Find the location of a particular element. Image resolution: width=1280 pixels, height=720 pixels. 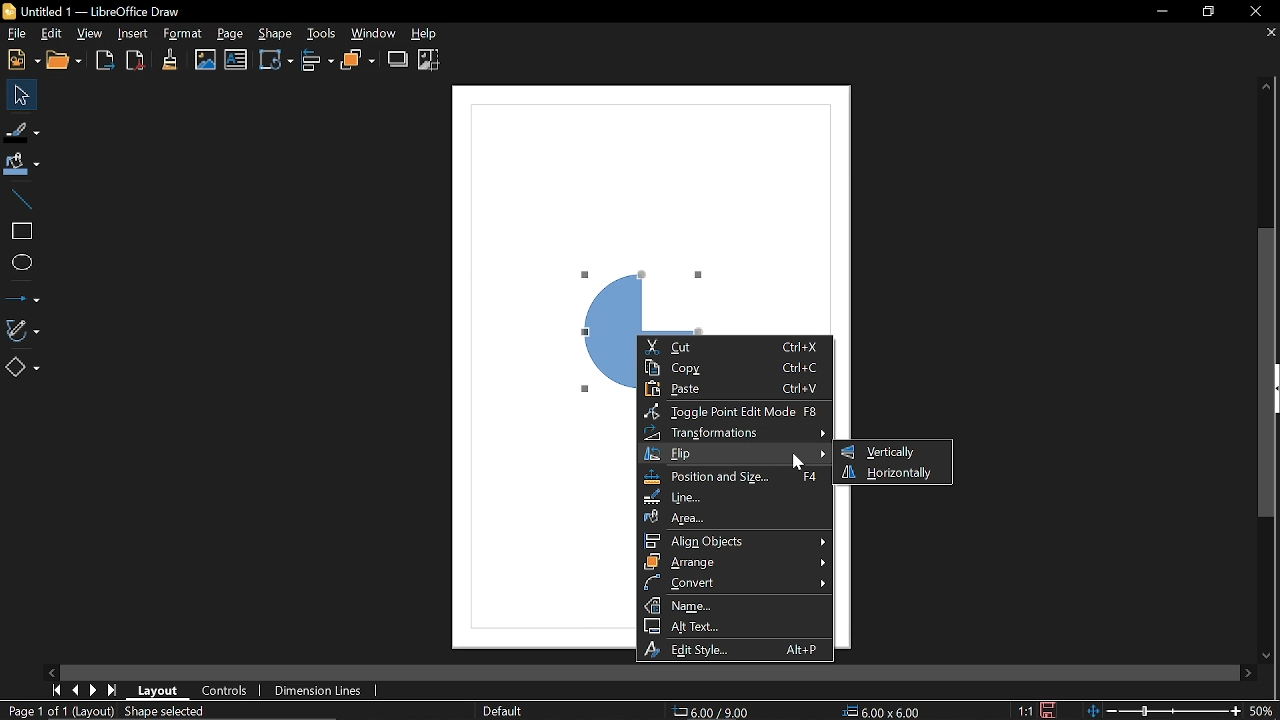

New is located at coordinates (21, 60).